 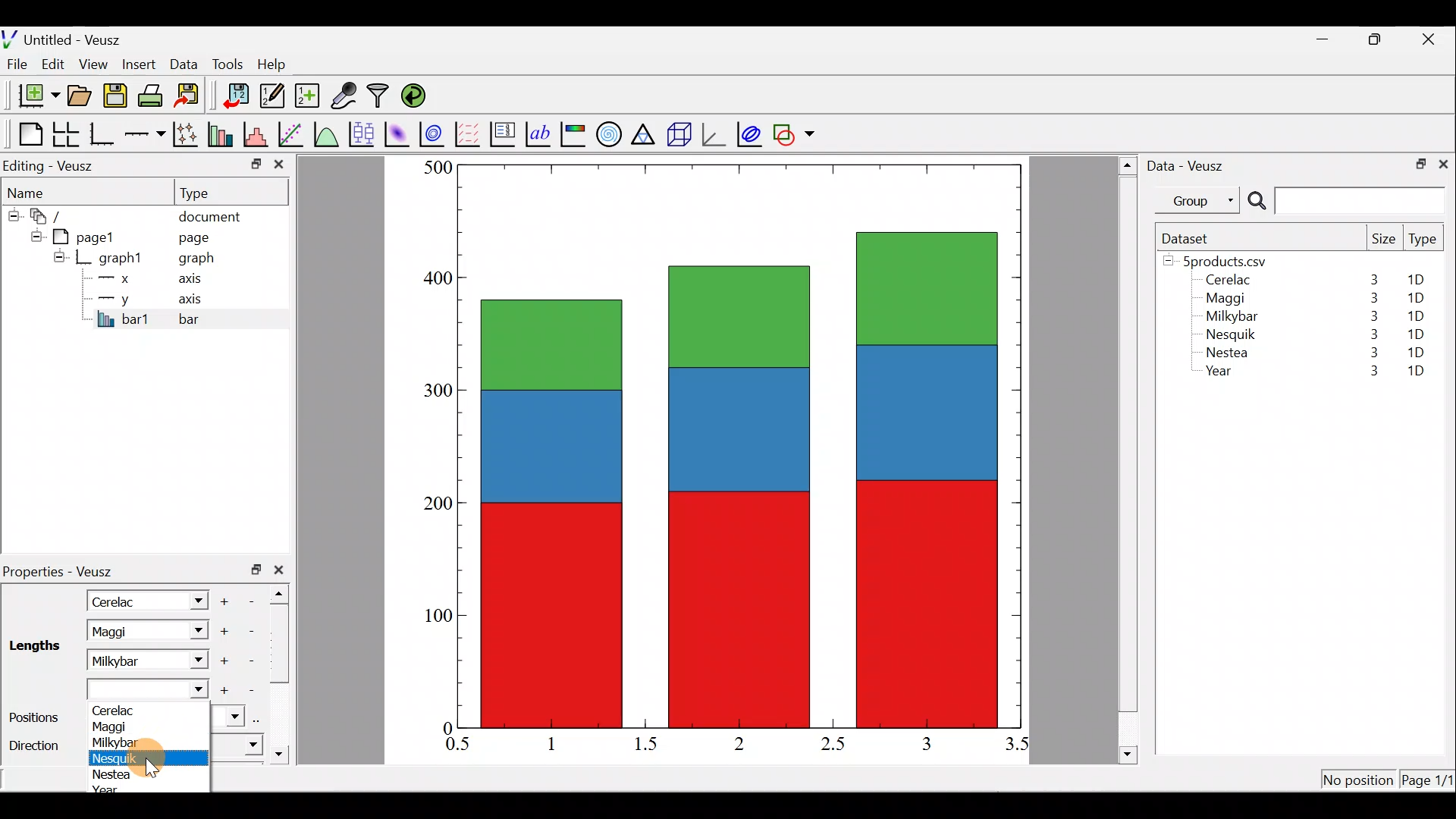 I want to click on 3, so click(x=925, y=743).